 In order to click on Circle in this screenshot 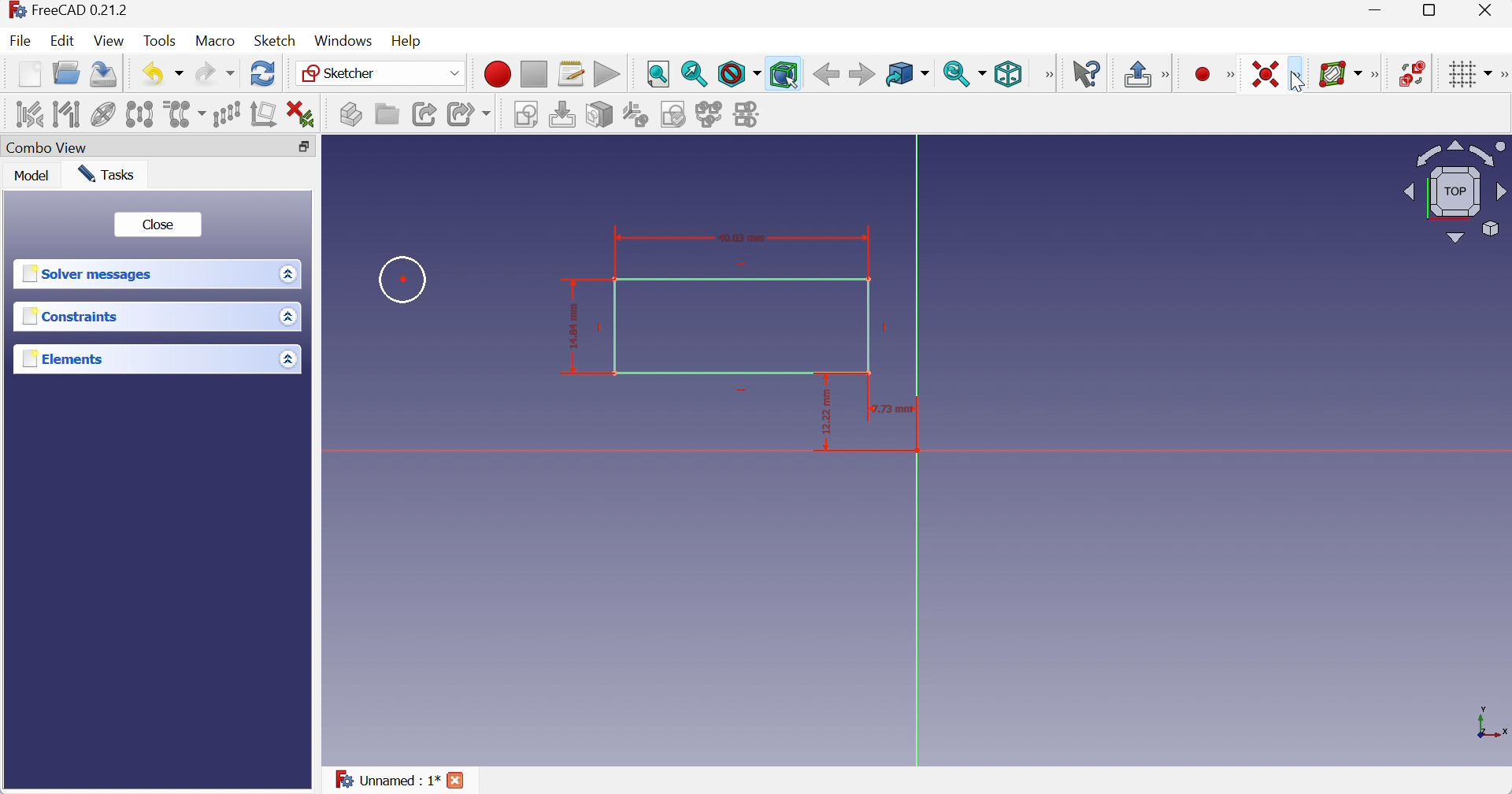, I will do `click(404, 279)`.